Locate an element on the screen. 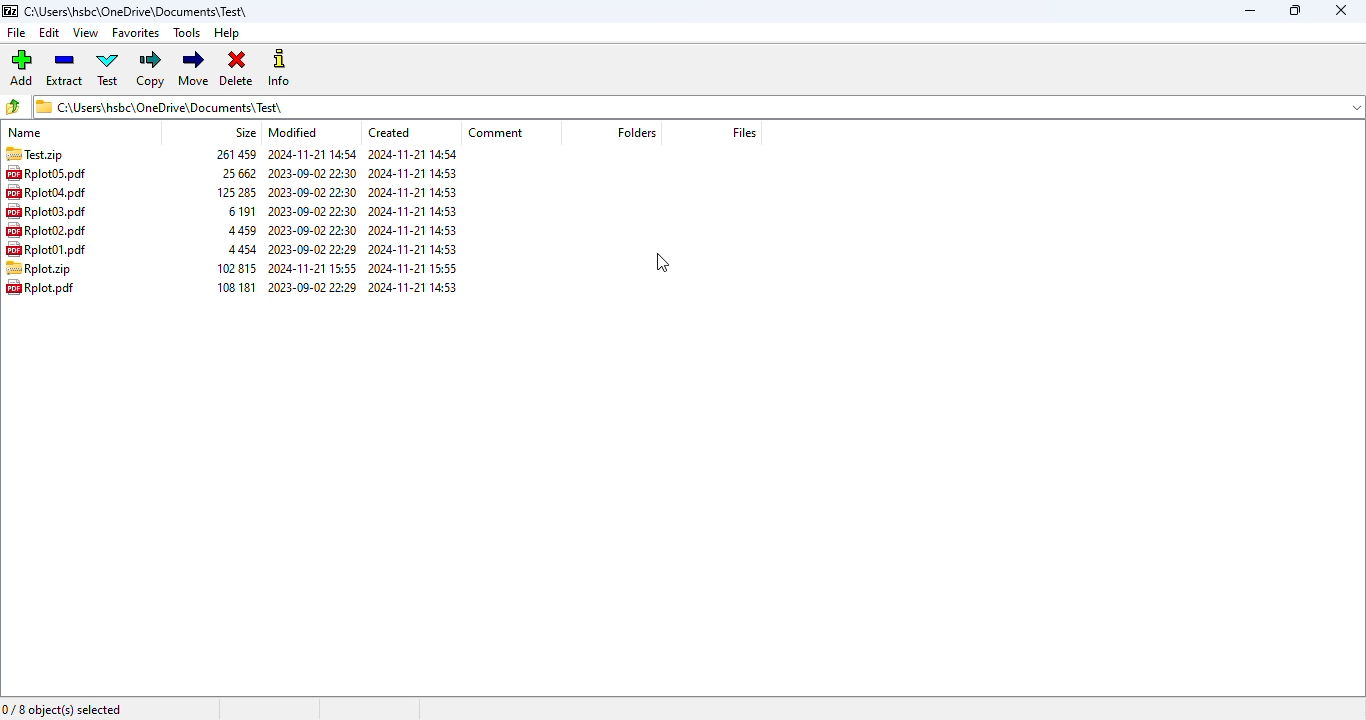 Image resolution: width=1366 pixels, height=720 pixels. logo is located at coordinates (11, 11).